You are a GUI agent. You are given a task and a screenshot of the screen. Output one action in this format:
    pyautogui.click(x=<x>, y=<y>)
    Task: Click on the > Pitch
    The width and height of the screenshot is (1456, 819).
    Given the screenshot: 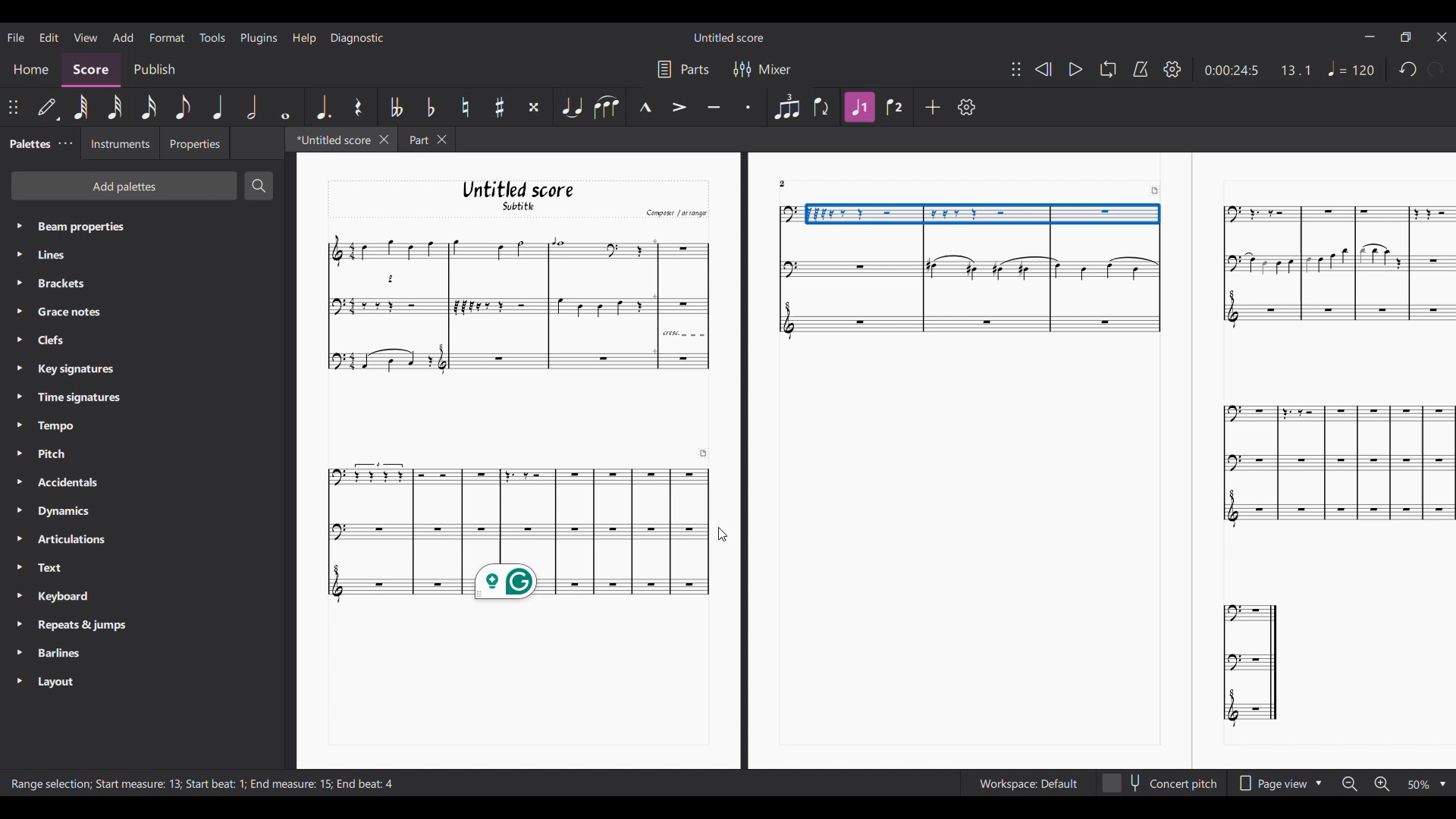 What is the action you would take?
    pyautogui.click(x=52, y=457)
    